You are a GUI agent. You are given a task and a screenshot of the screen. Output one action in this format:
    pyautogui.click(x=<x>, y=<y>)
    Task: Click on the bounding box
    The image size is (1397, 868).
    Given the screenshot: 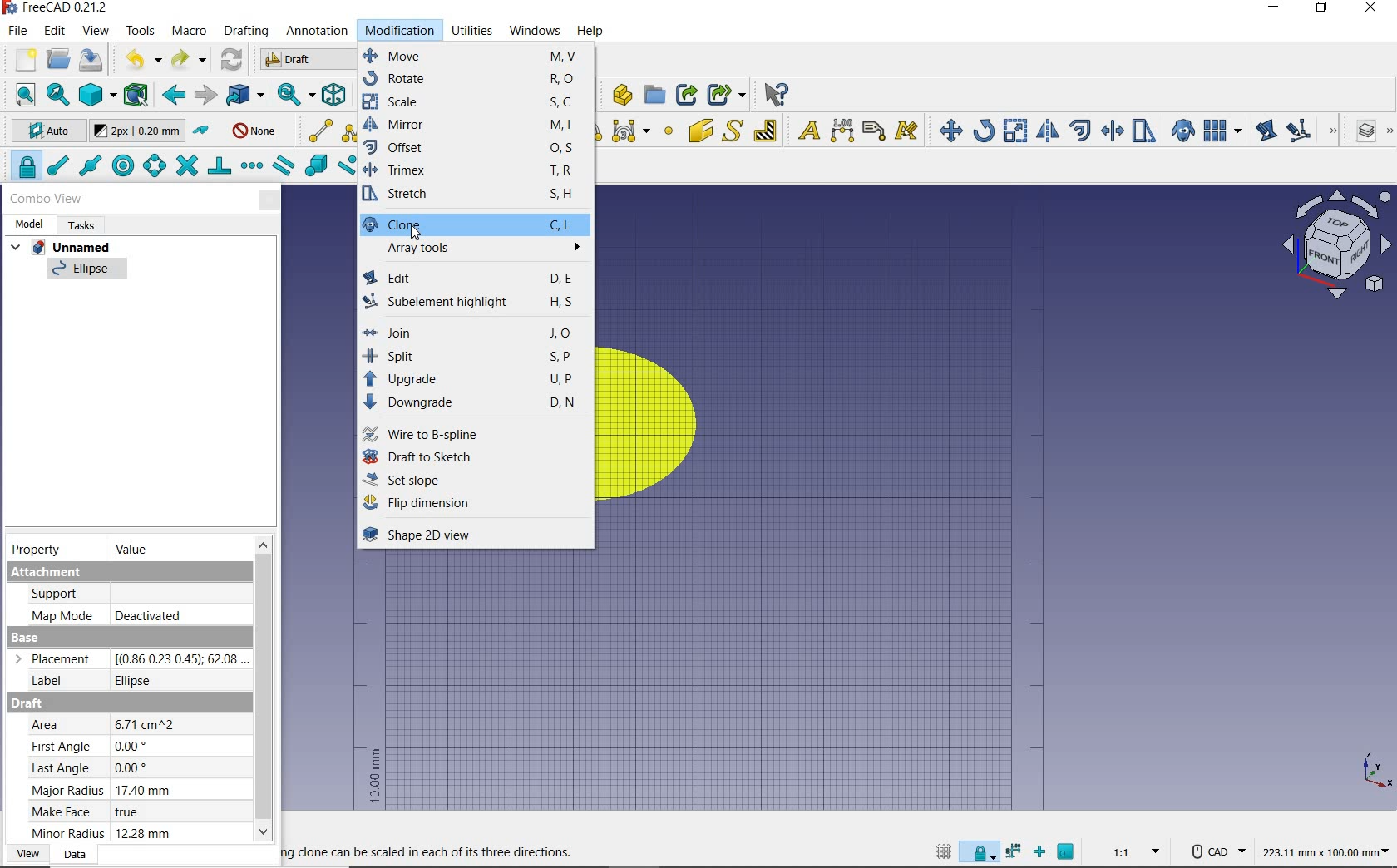 What is the action you would take?
    pyautogui.click(x=137, y=96)
    